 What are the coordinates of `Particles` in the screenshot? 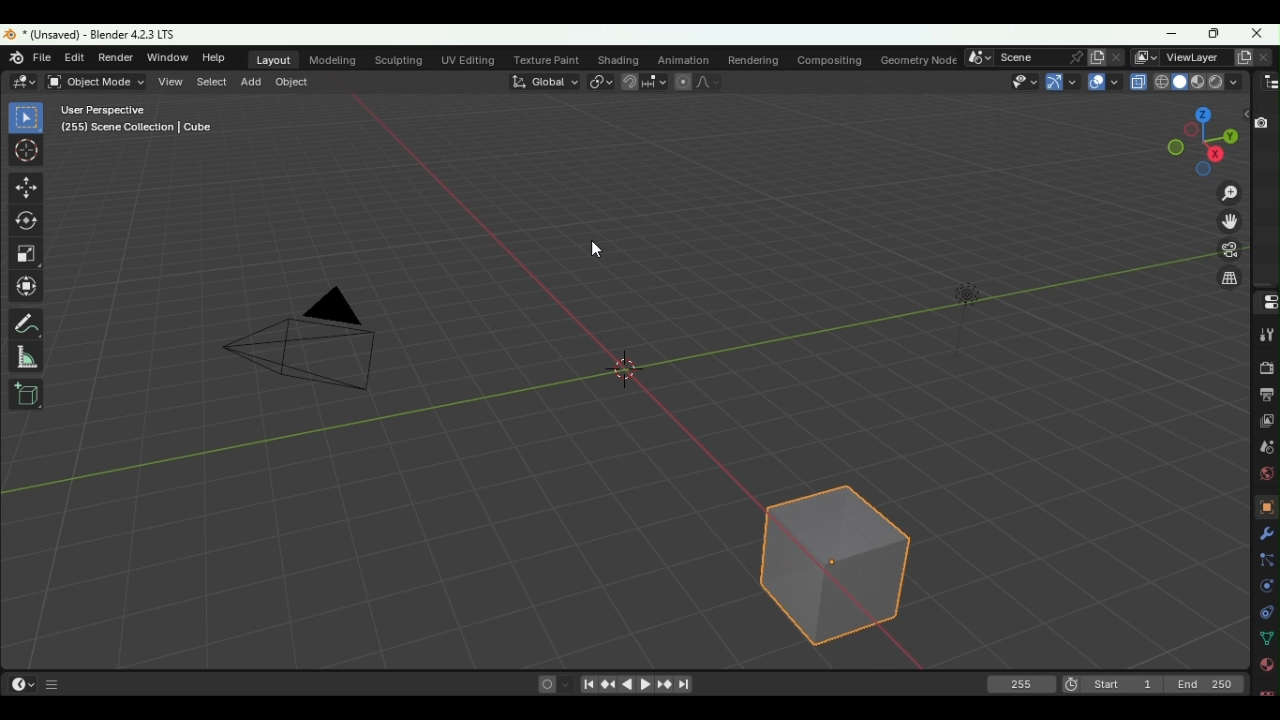 It's located at (1267, 563).